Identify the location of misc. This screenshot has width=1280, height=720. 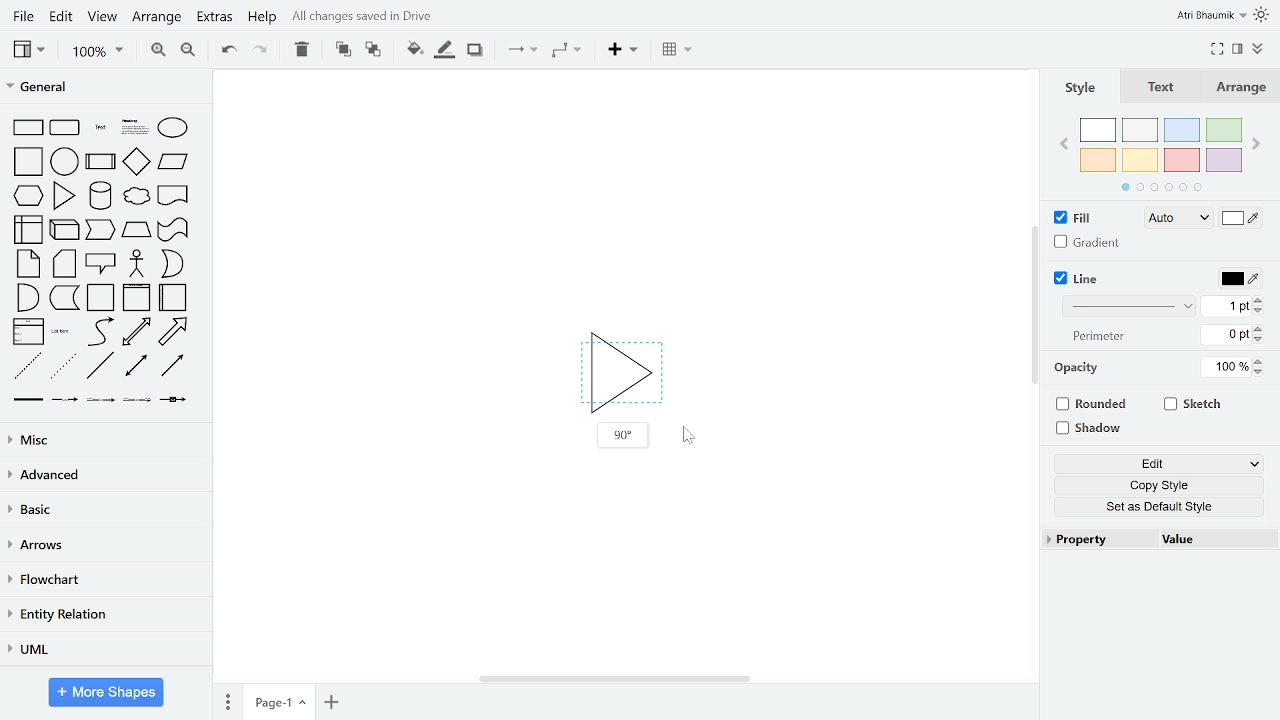
(102, 442).